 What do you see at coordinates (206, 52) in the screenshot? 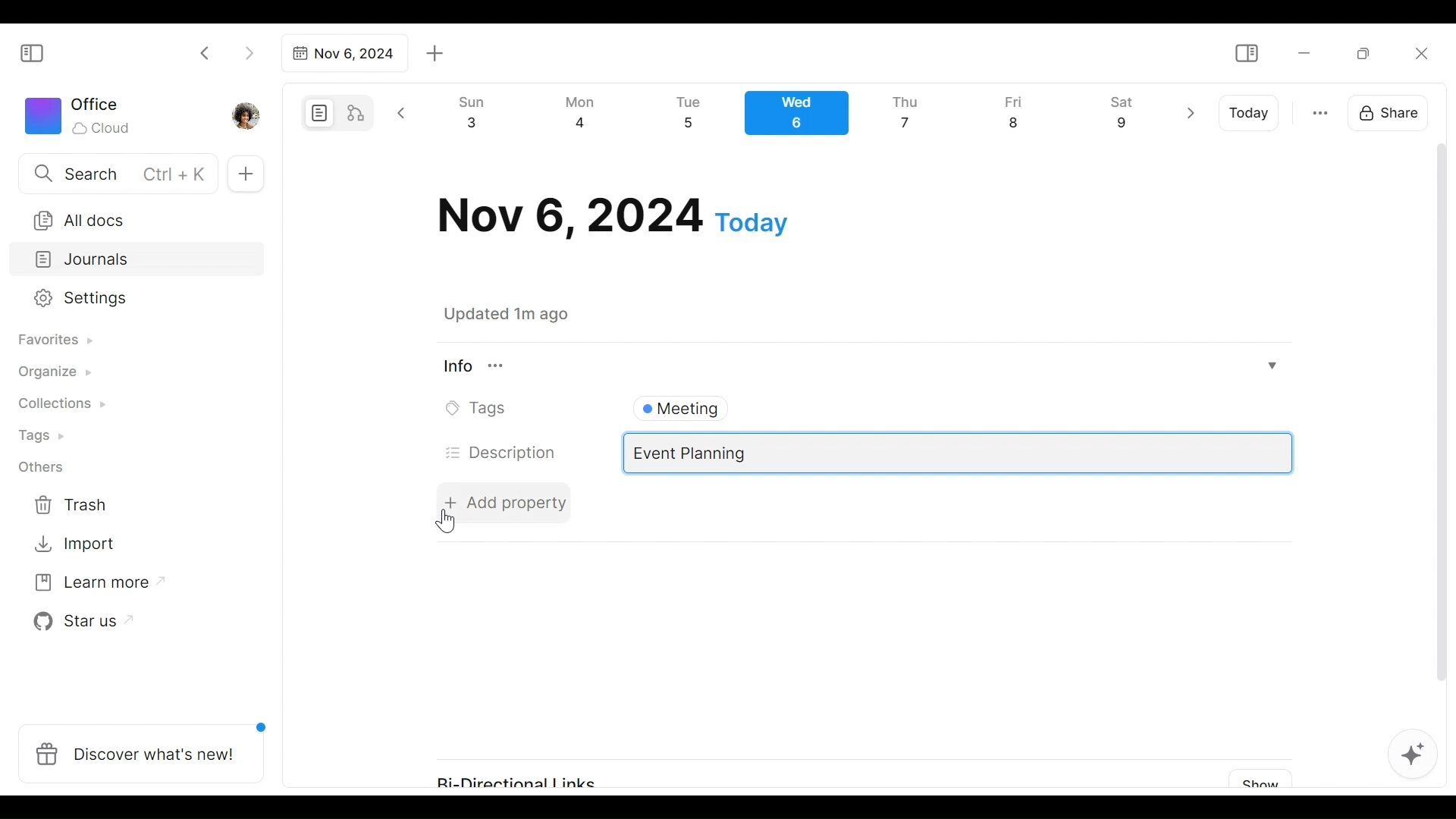
I see `Click to go back` at bounding box center [206, 52].